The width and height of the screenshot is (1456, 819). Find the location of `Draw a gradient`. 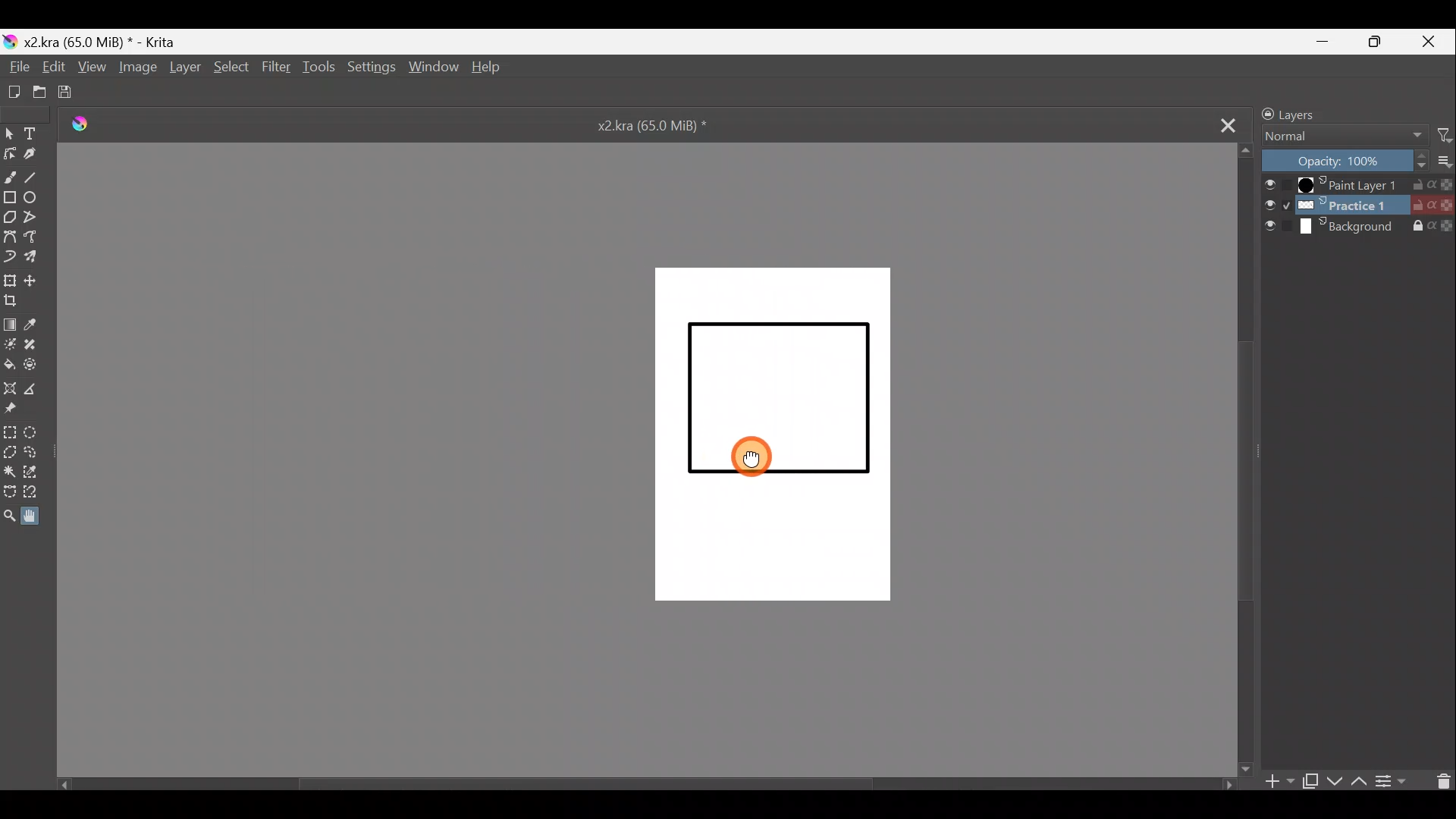

Draw a gradient is located at coordinates (11, 323).